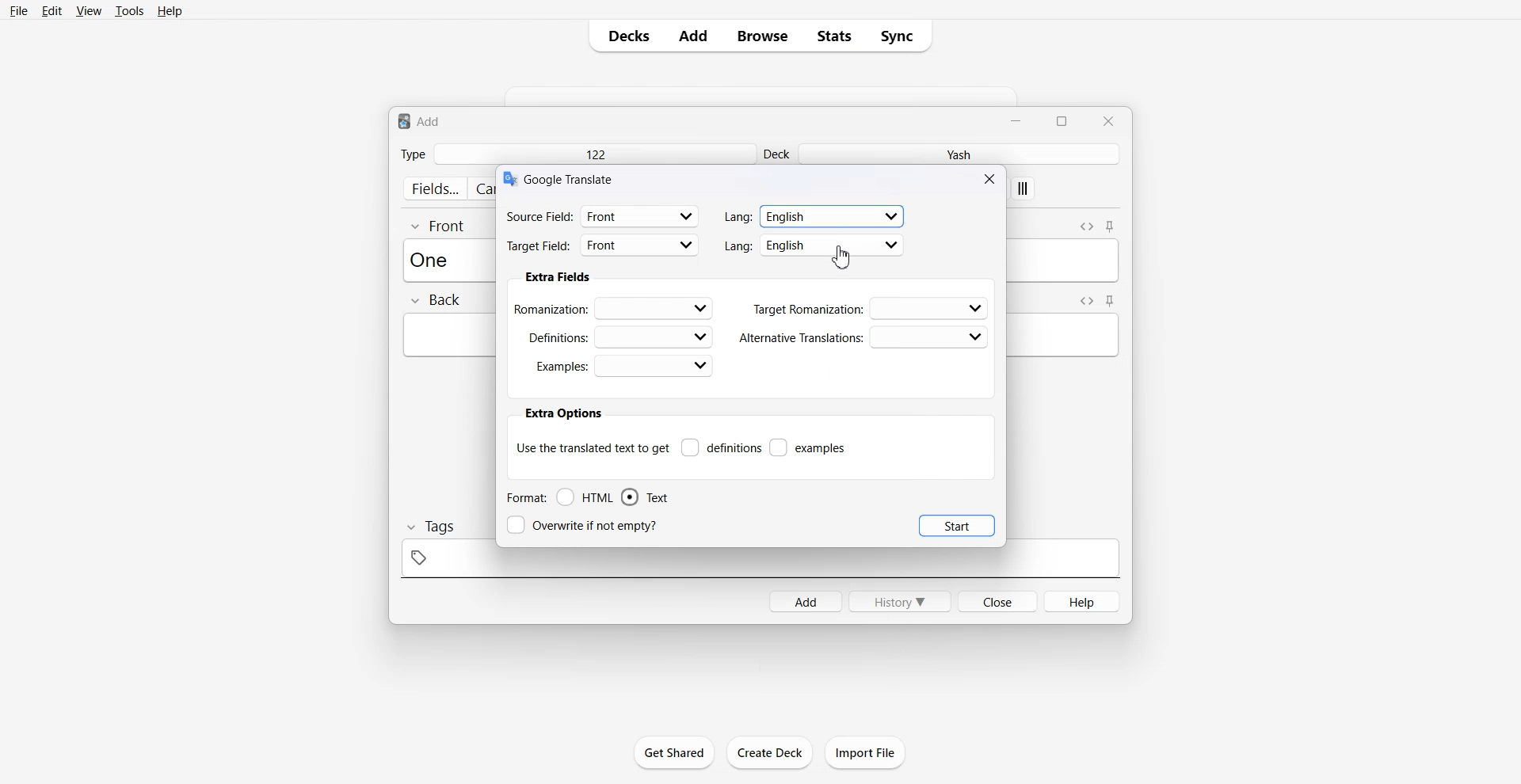 The width and height of the screenshot is (1521, 784). I want to click on Start, so click(957, 525).